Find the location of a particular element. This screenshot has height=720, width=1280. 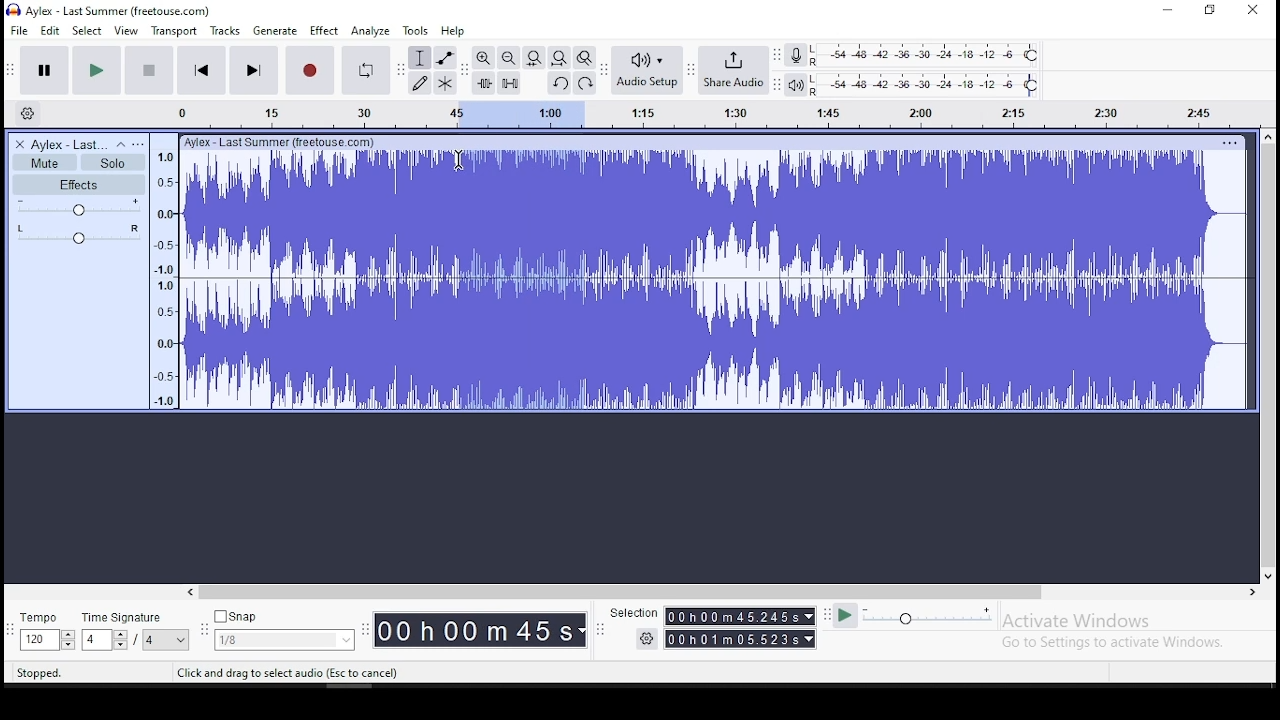

recording meter is located at coordinates (802, 53).